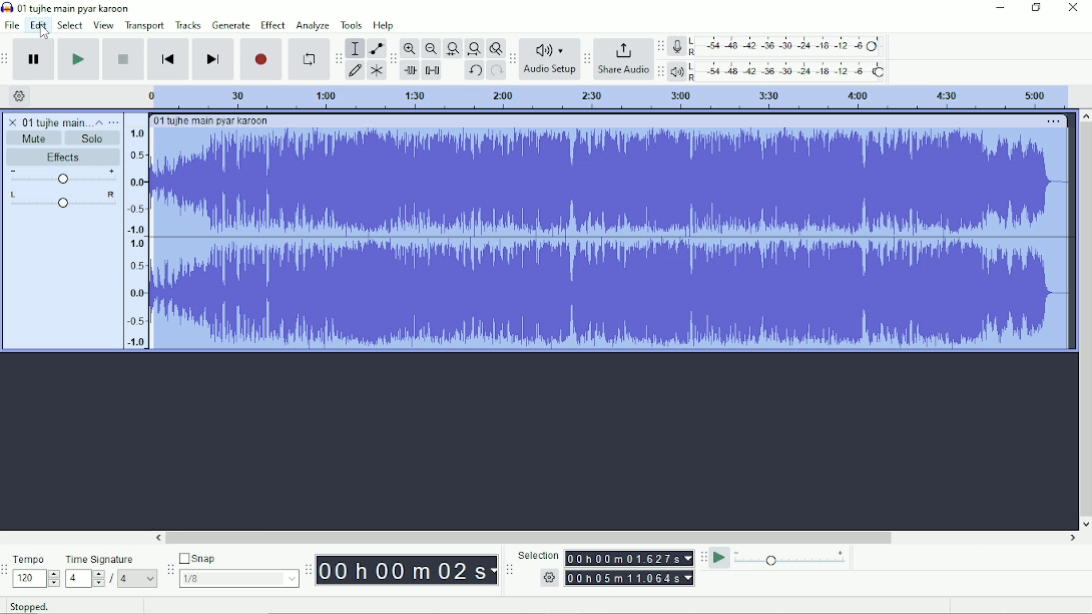  Describe the element at coordinates (113, 122) in the screenshot. I see `More options` at that location.